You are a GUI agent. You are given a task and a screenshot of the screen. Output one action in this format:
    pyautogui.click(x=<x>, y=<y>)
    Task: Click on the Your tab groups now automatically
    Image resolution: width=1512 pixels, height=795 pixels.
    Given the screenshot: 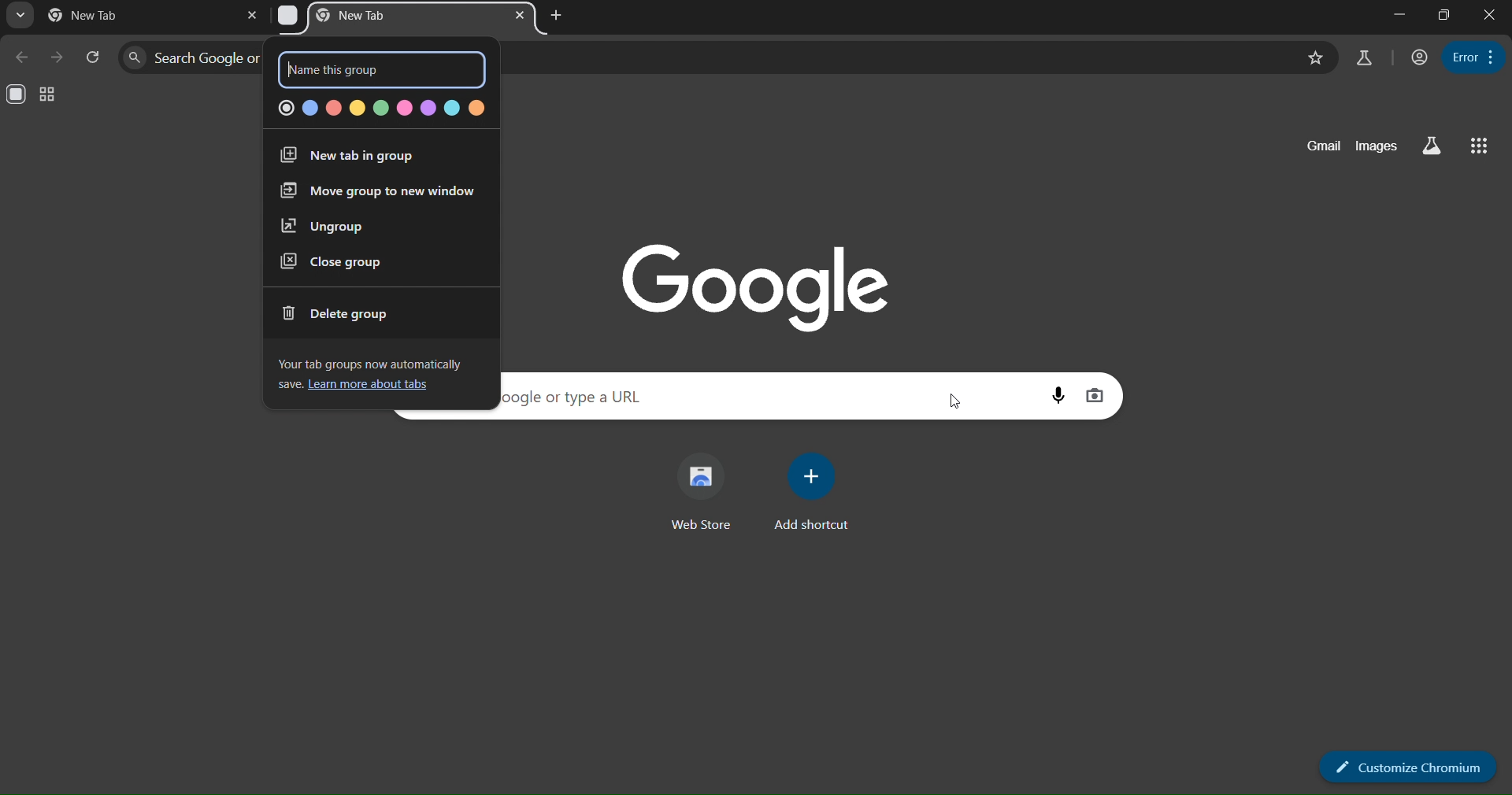 What is the action you would take?
    pyautogui.click(x=376, y=365)
    